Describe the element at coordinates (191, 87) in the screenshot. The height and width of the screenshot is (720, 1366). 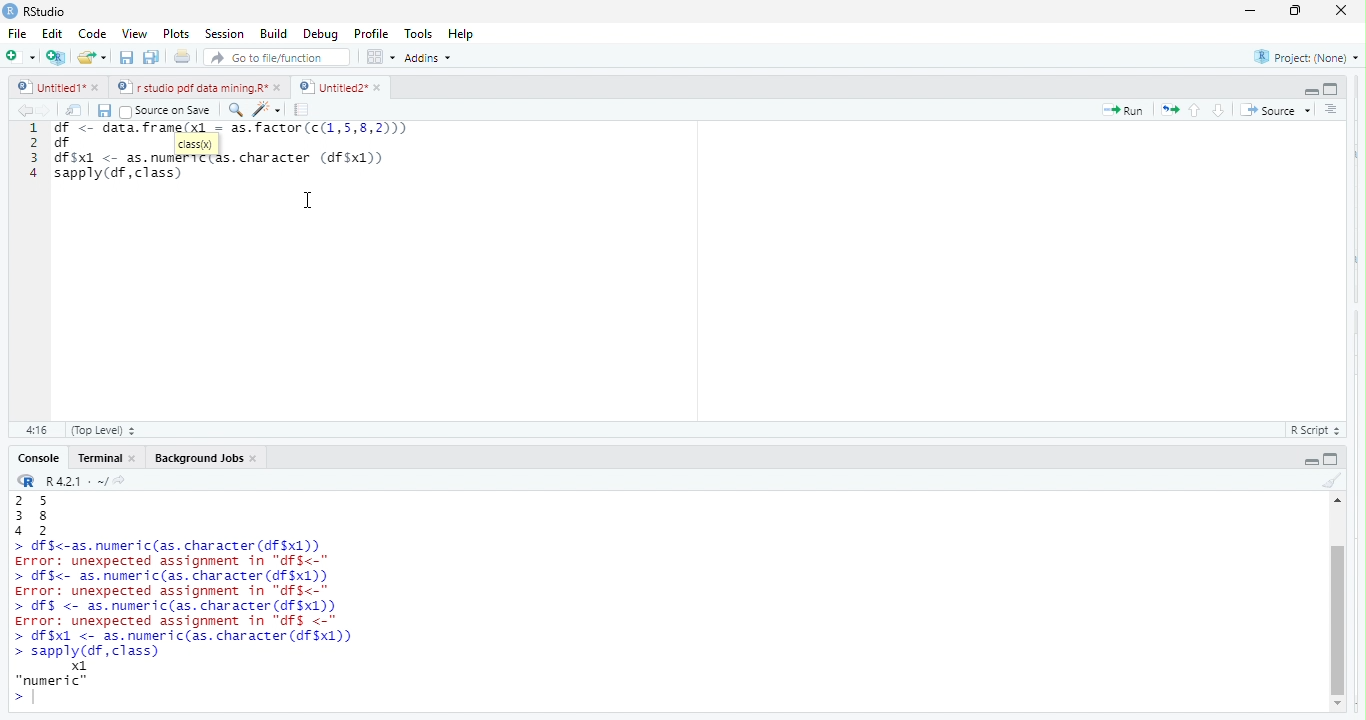
I see `rstudio pdf data mining.R’` at that location.